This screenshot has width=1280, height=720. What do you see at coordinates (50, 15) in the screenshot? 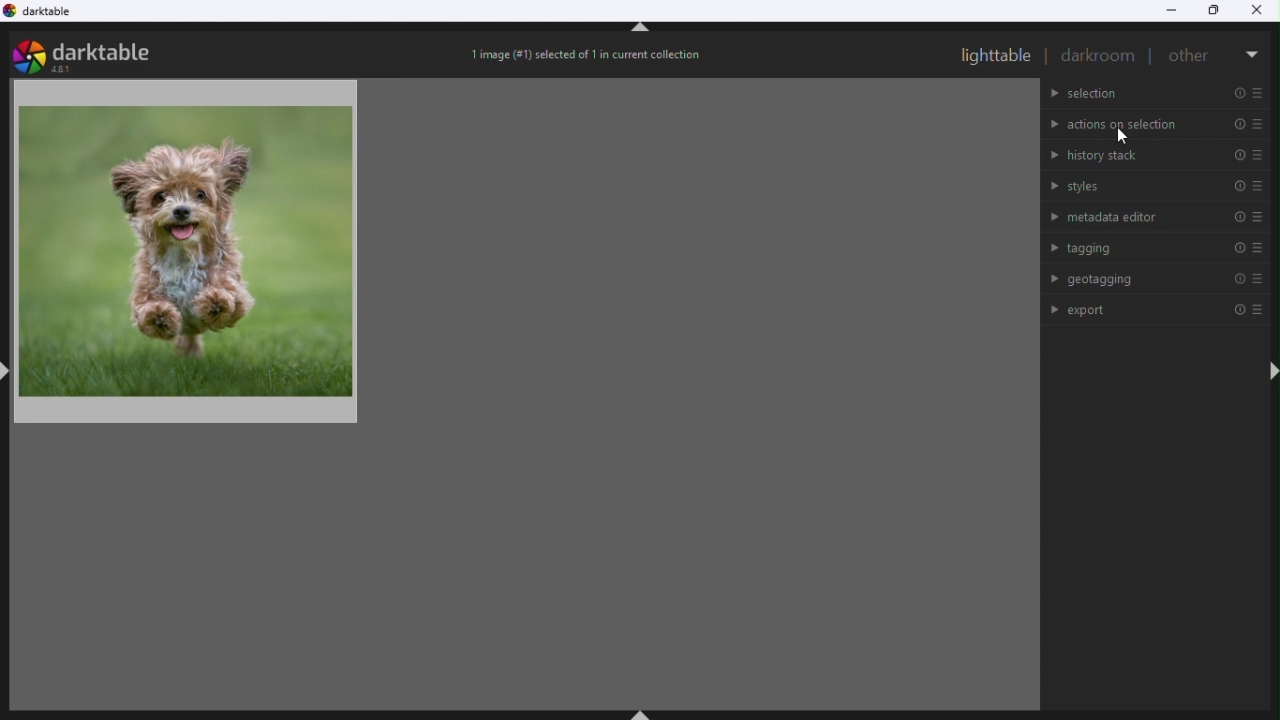
I see `Dark table` at bounding box center [50, 15].